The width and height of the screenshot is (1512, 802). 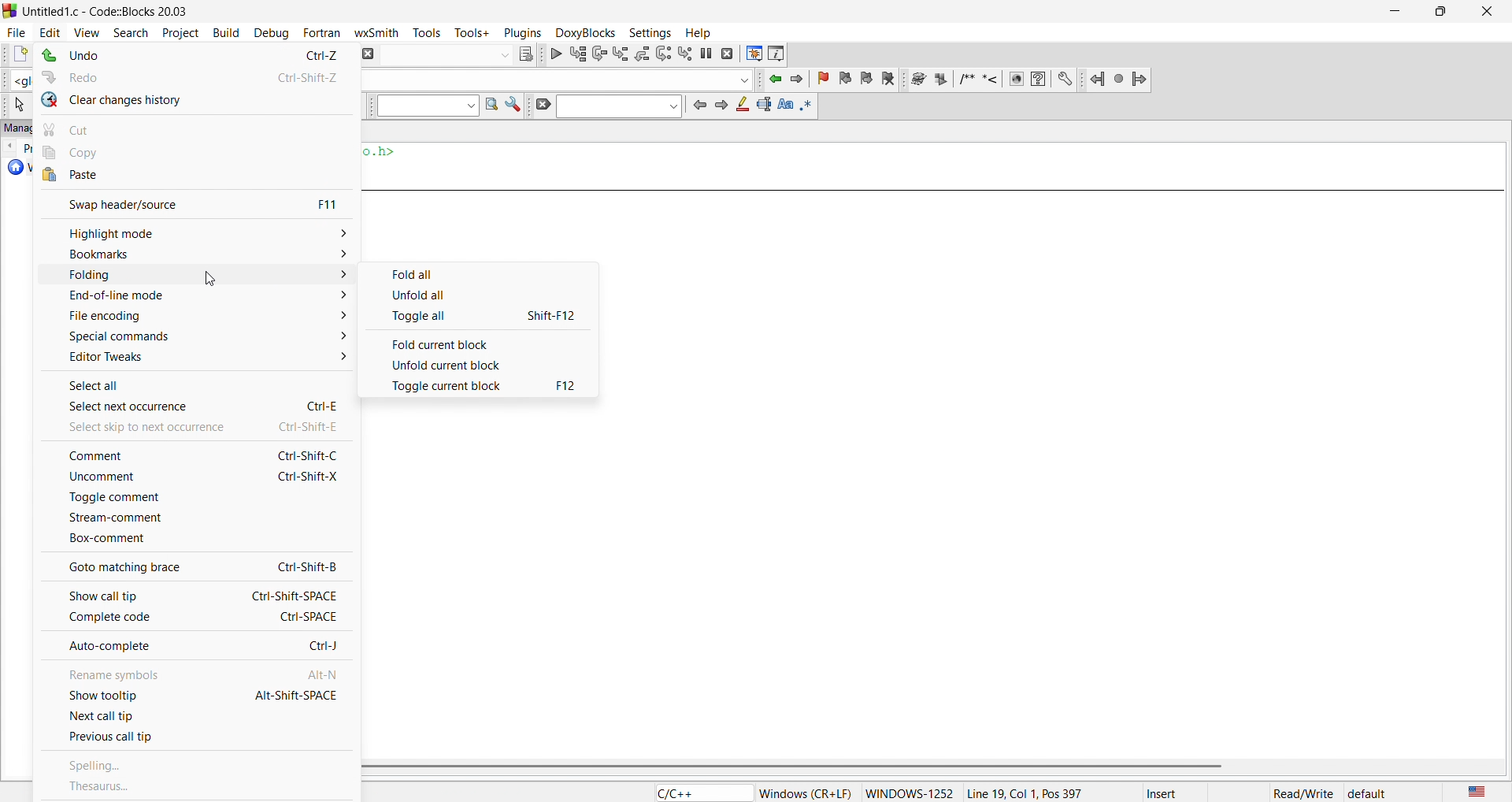 What do you see at coordinates (776, 79) in the screenshot?
I see `jump backward` at bounding box center [776, 79].